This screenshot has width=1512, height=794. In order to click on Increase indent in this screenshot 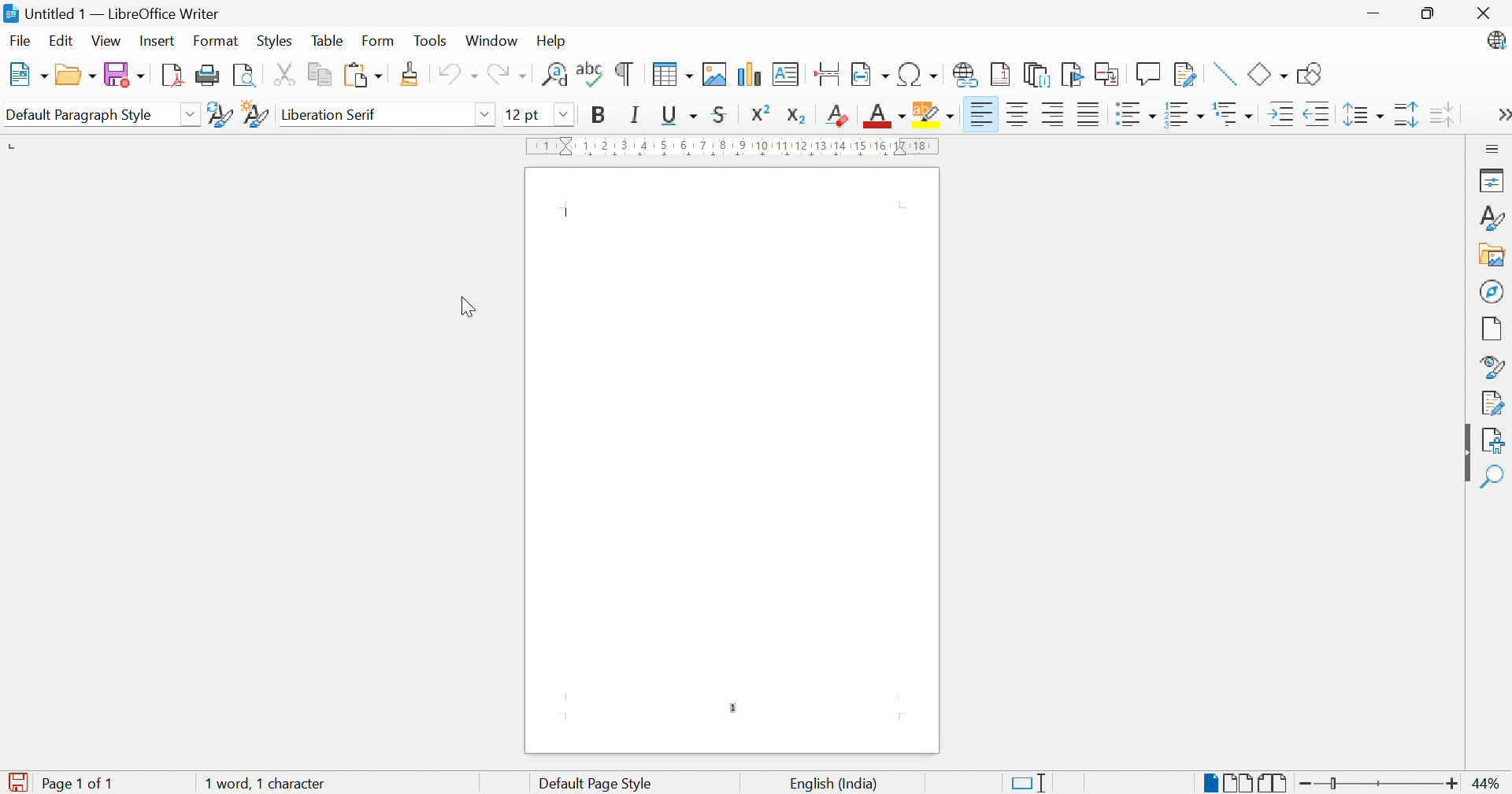, I will do `click(1277, 117)`.